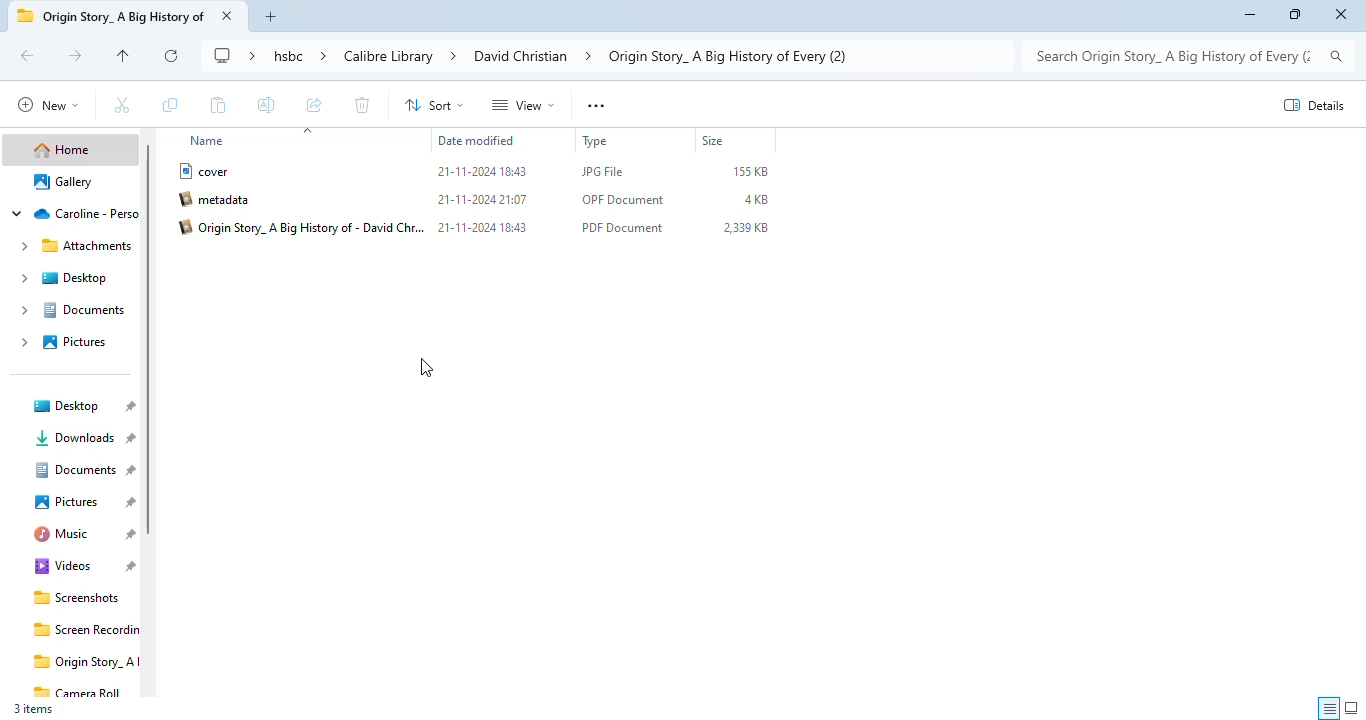  What do you see at coordinates (30, 55) in the screenshot?
I see `back` at bounding box center [30, 55].